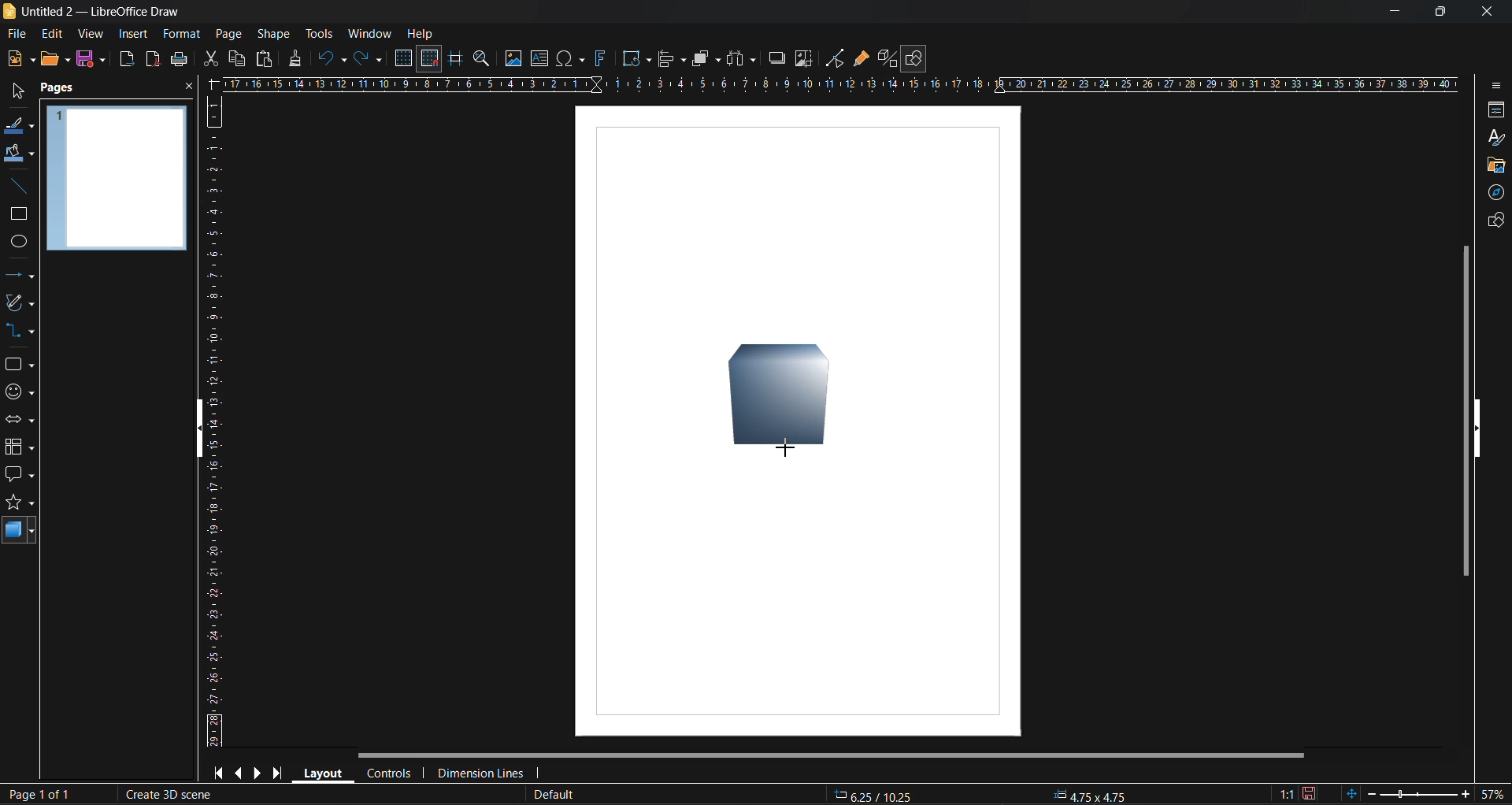 The height and width of the screenshot is (805, 1512). What do you see at coordinates (20, 421) in the screenshot?
I see `block arrows` at bounding box center [20, 421].